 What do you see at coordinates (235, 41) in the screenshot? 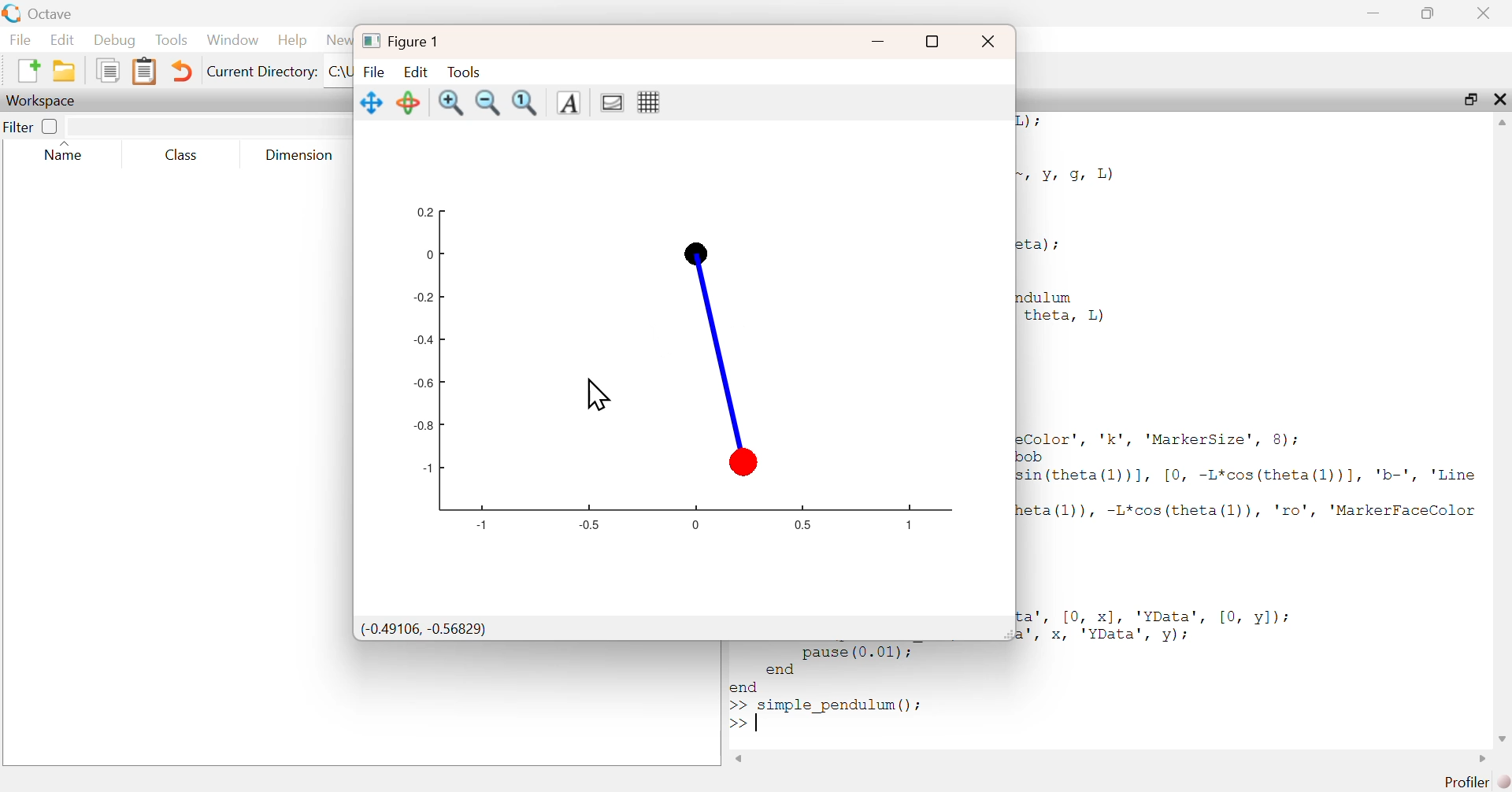
I see `Window` at bounding box center [235, 41].